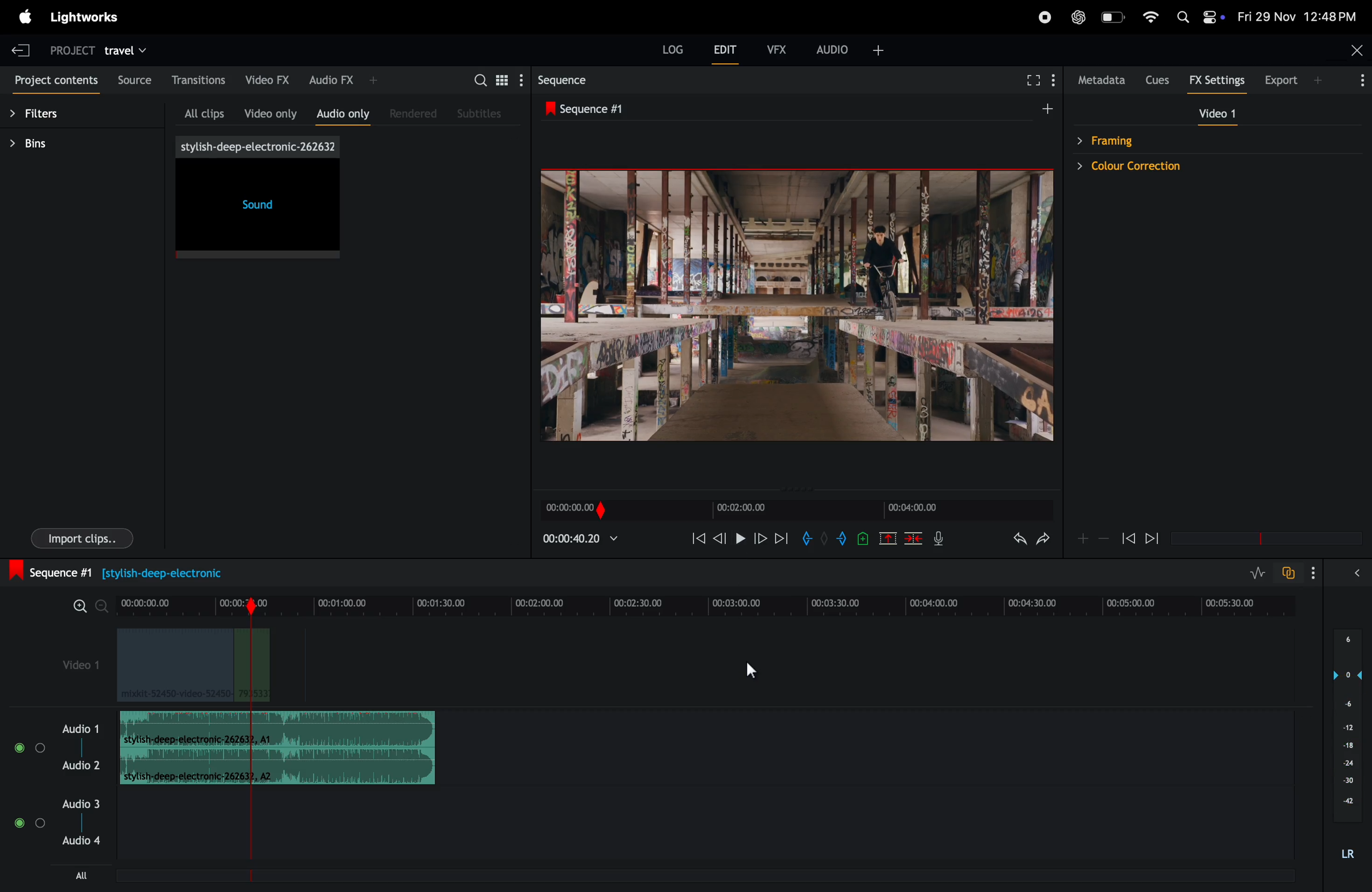  What do you see at coordinates (807, 538) in the screenshot?
I see `add in mark in current postion` at bounding box center [807, 538].